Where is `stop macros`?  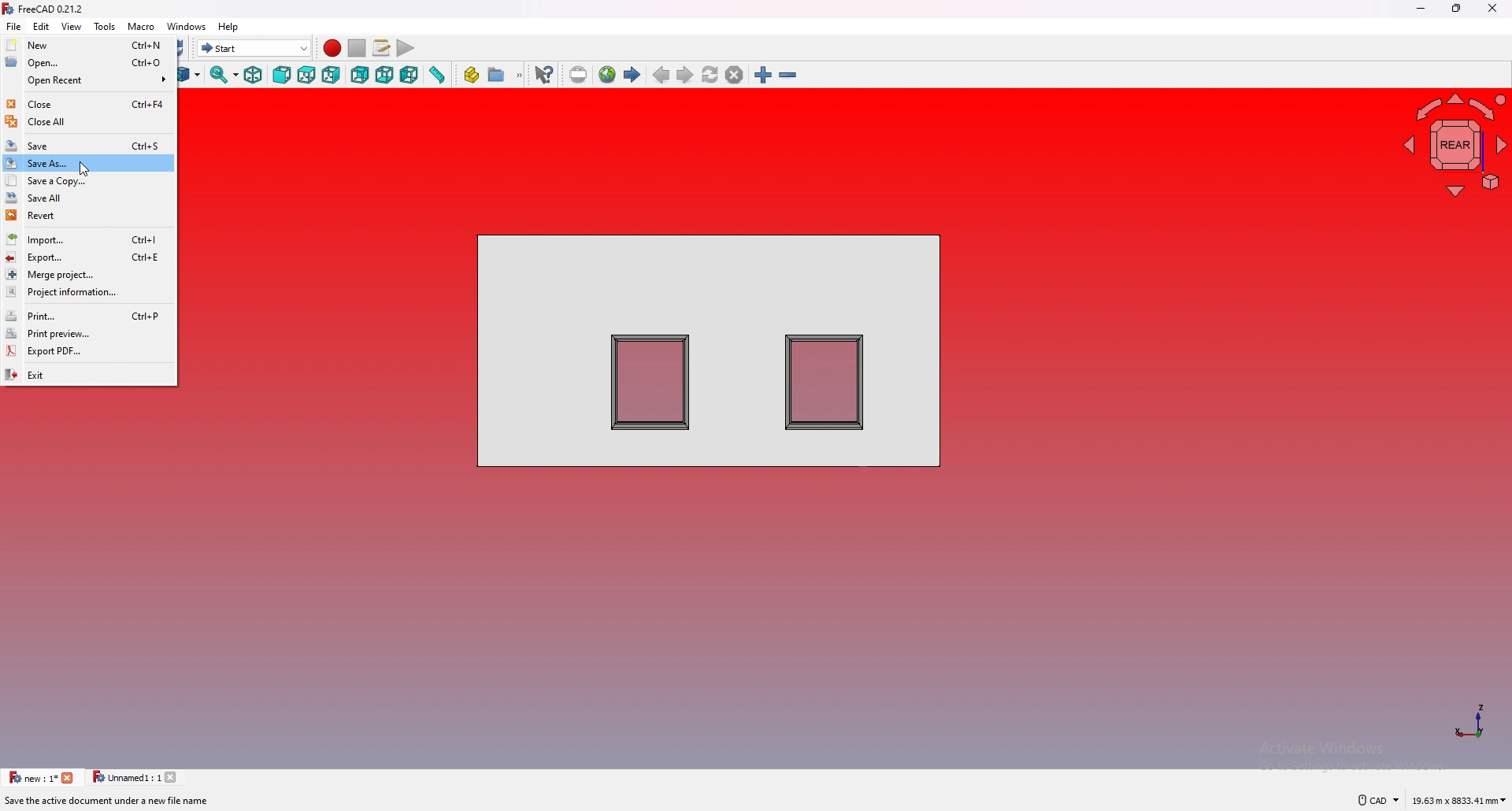
stop macros is located at coordinates (357, 48).